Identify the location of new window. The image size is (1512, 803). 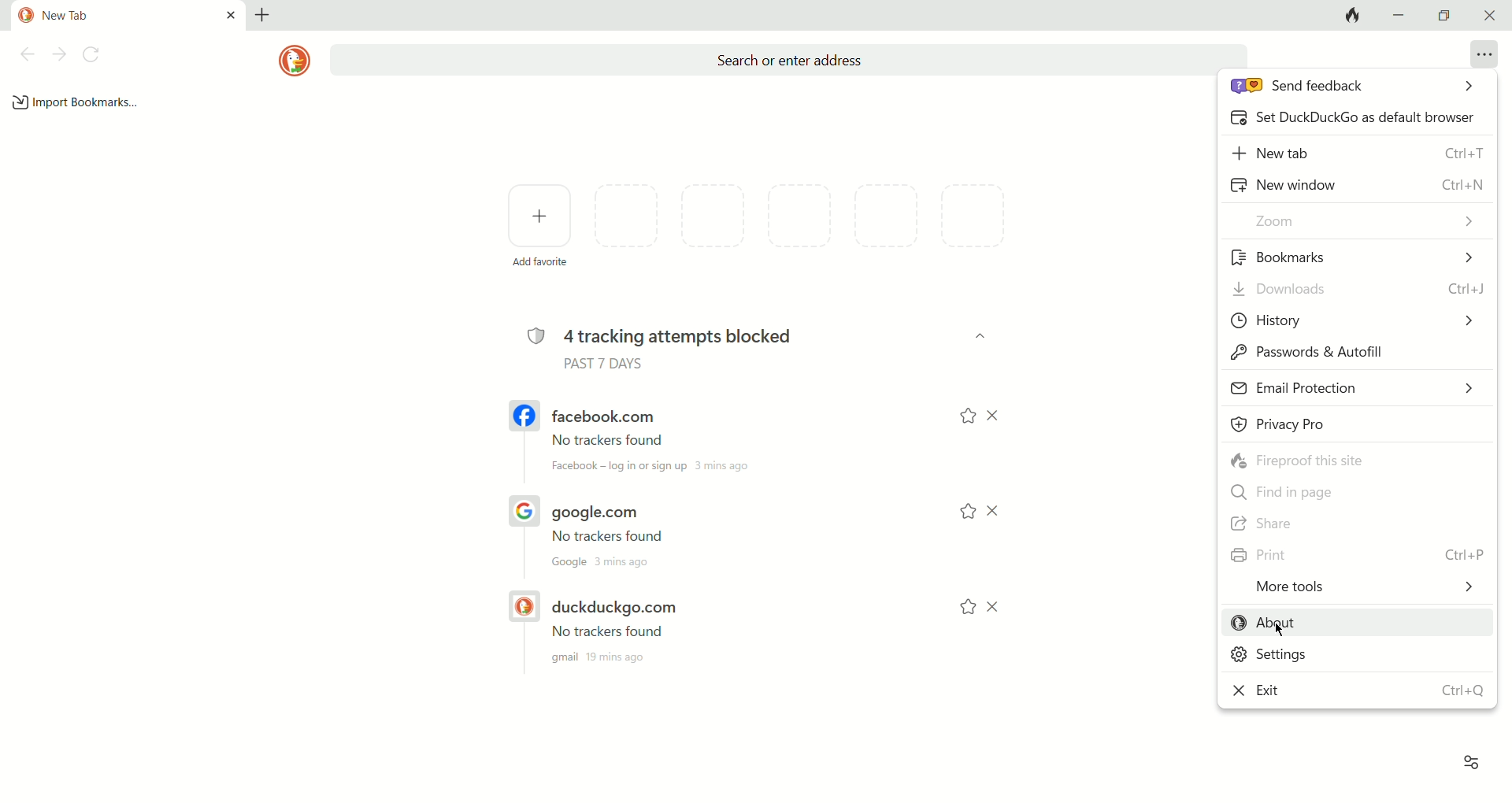
(1354, 185).